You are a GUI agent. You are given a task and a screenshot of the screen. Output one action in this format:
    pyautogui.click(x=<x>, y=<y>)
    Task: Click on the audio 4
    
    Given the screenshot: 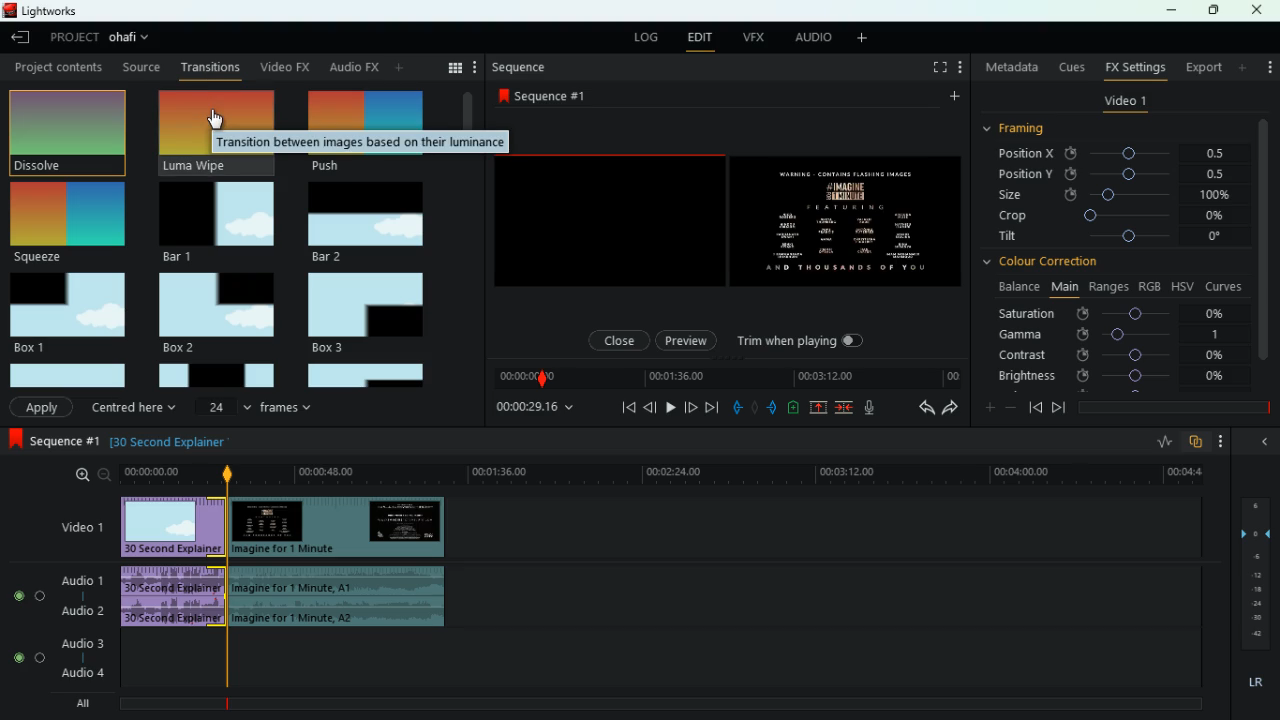 What is the action you would take?
    pyautogui.click(x=82, y=674)
    